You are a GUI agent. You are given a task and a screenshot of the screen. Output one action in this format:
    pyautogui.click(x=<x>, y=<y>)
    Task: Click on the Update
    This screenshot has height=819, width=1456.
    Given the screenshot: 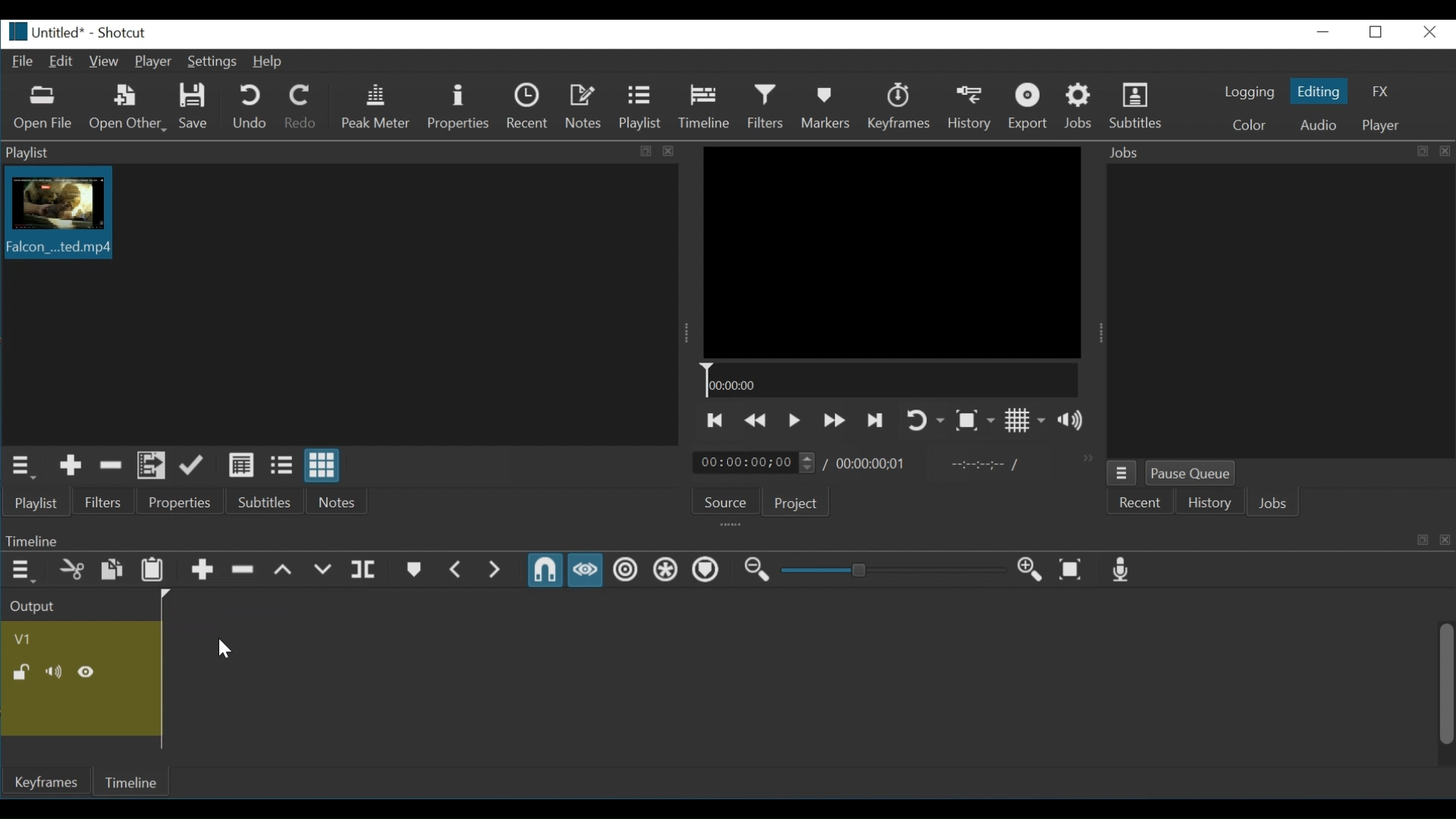 What is the action you would take?
    pyautogui.click(x=193, y=466)
    